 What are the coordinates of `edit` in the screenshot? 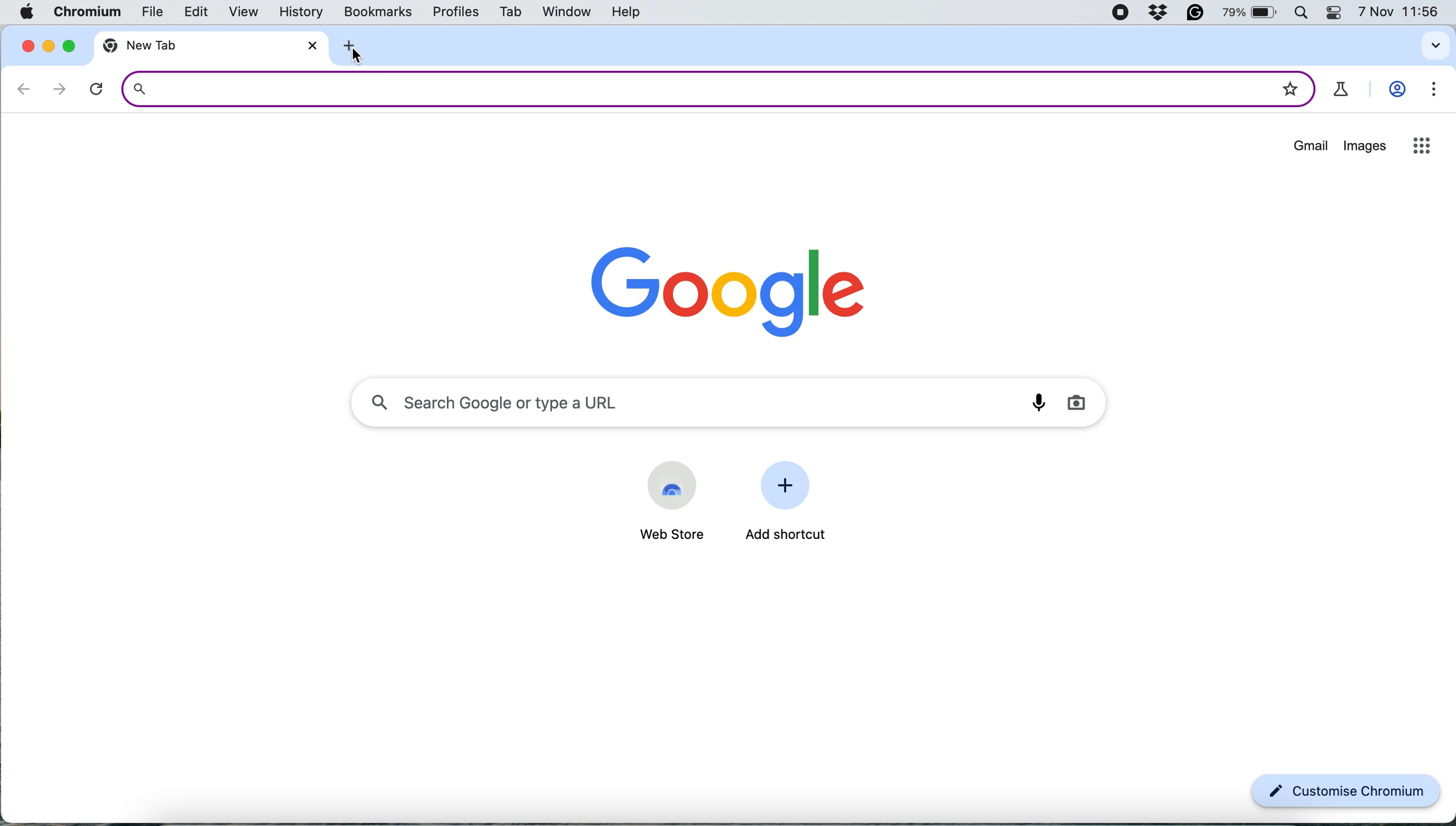 It's located at (190, 13).